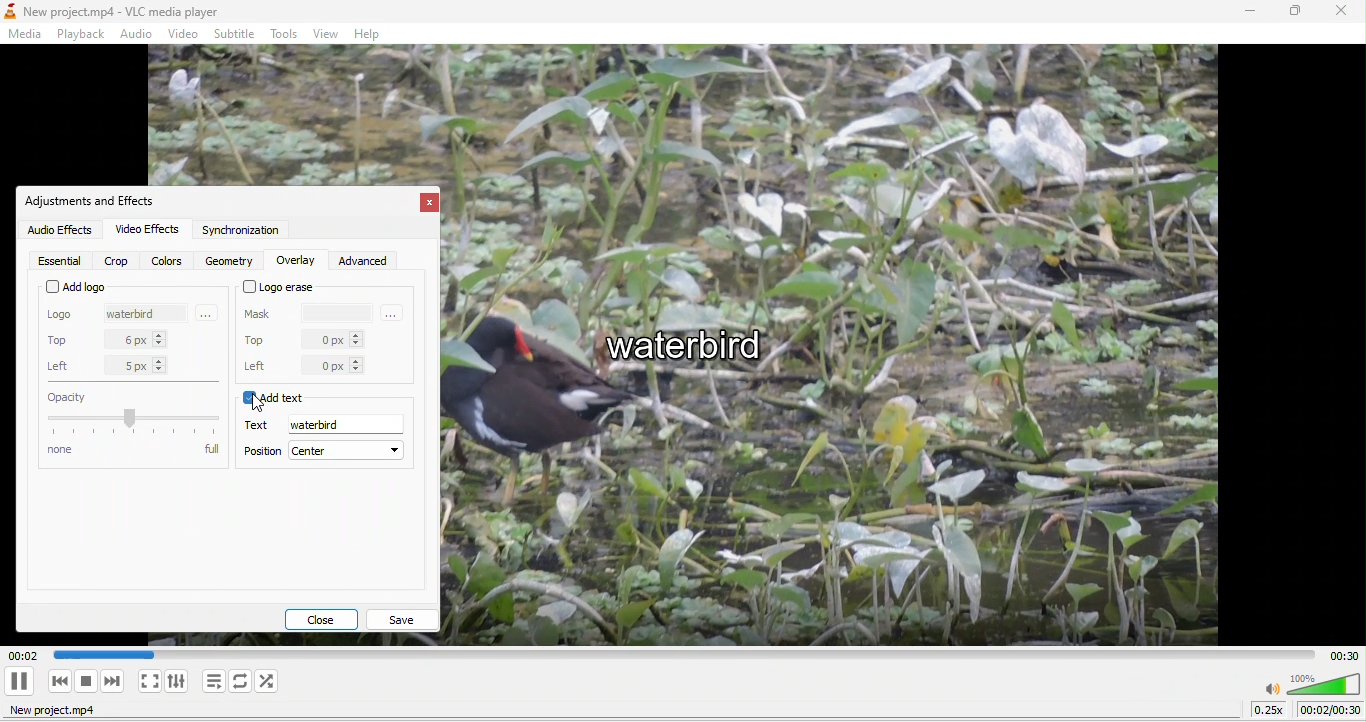  Describe the element at coordinates (327, 33) in the screenshot. I see `view` at that location.